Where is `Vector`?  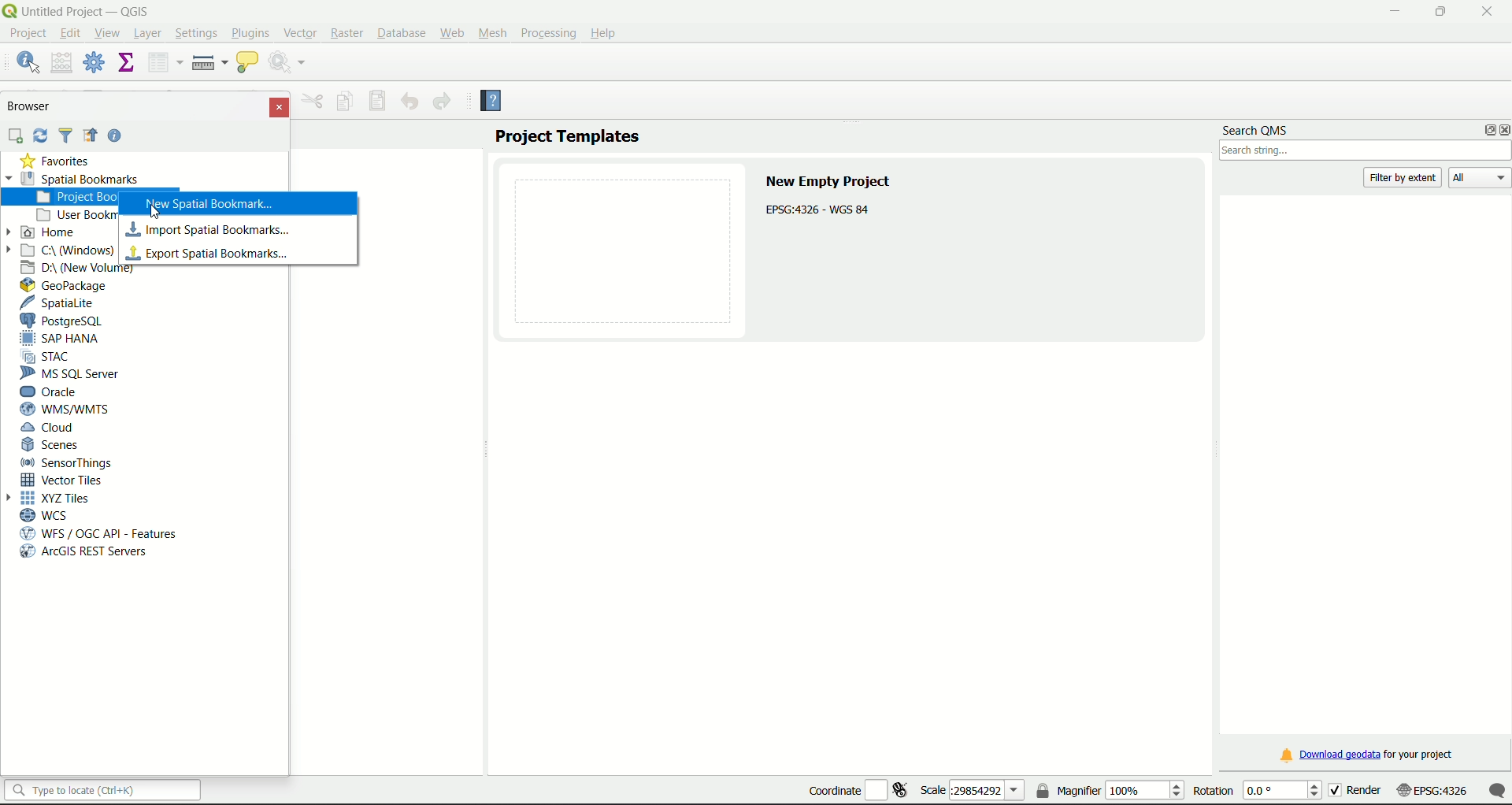 Vector is located at coordinates (301, 31).